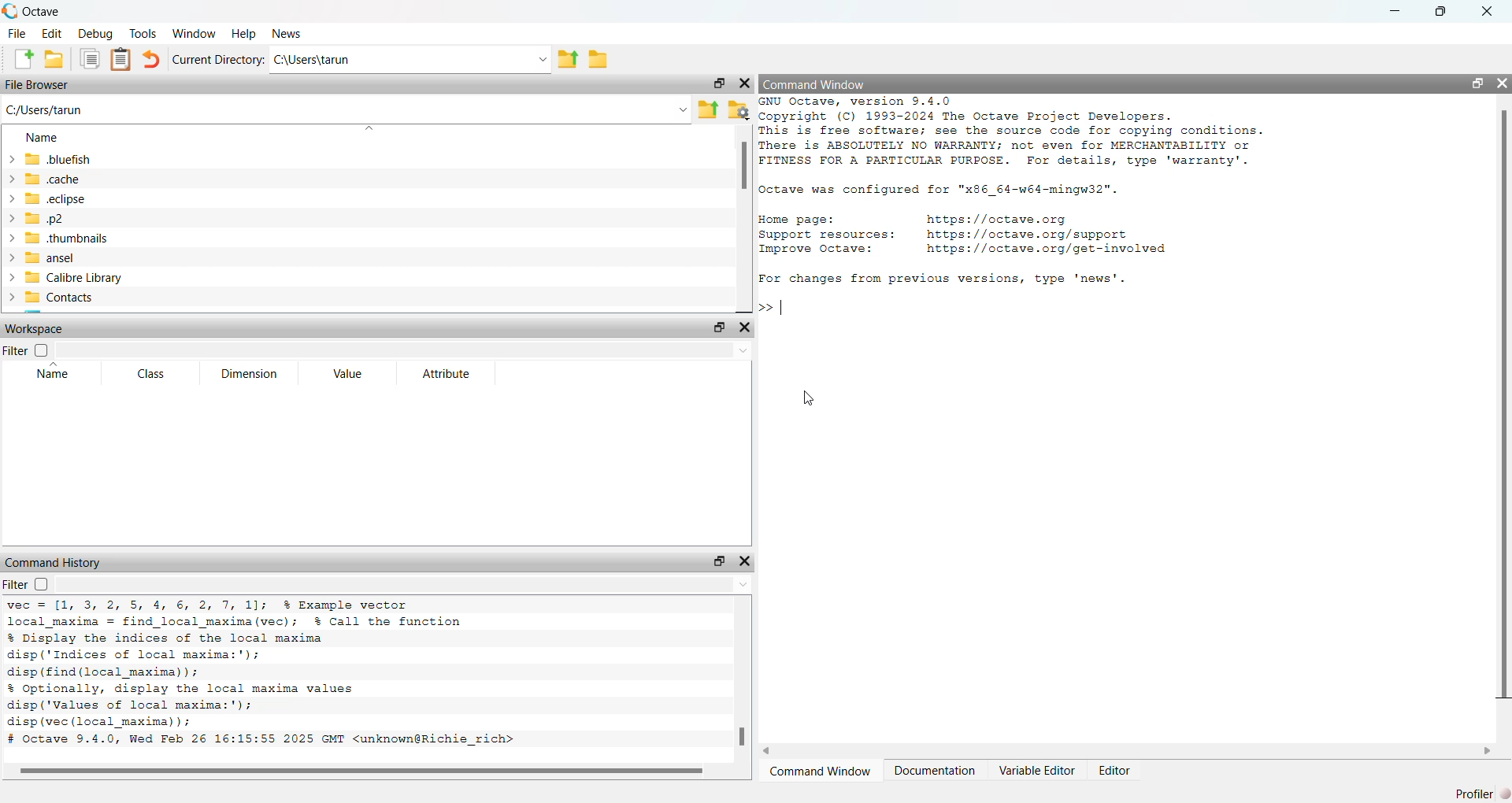  Describe the element at coordinates (36, 84) in the screenshot. I see `File Browser` at that location.